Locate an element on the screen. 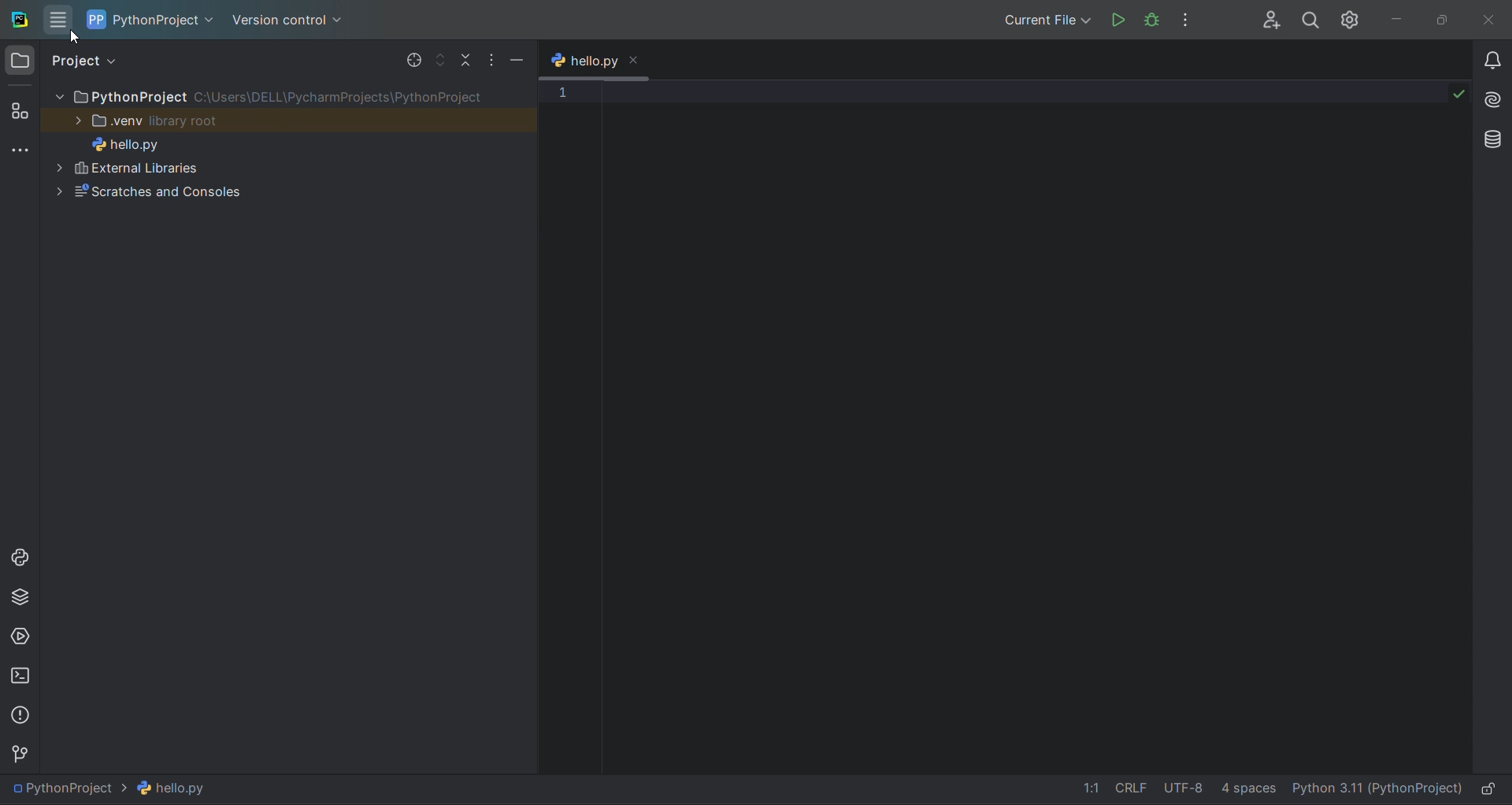 This screenshot has width=1512, height=805. version control is located at coordinates (18, 755).